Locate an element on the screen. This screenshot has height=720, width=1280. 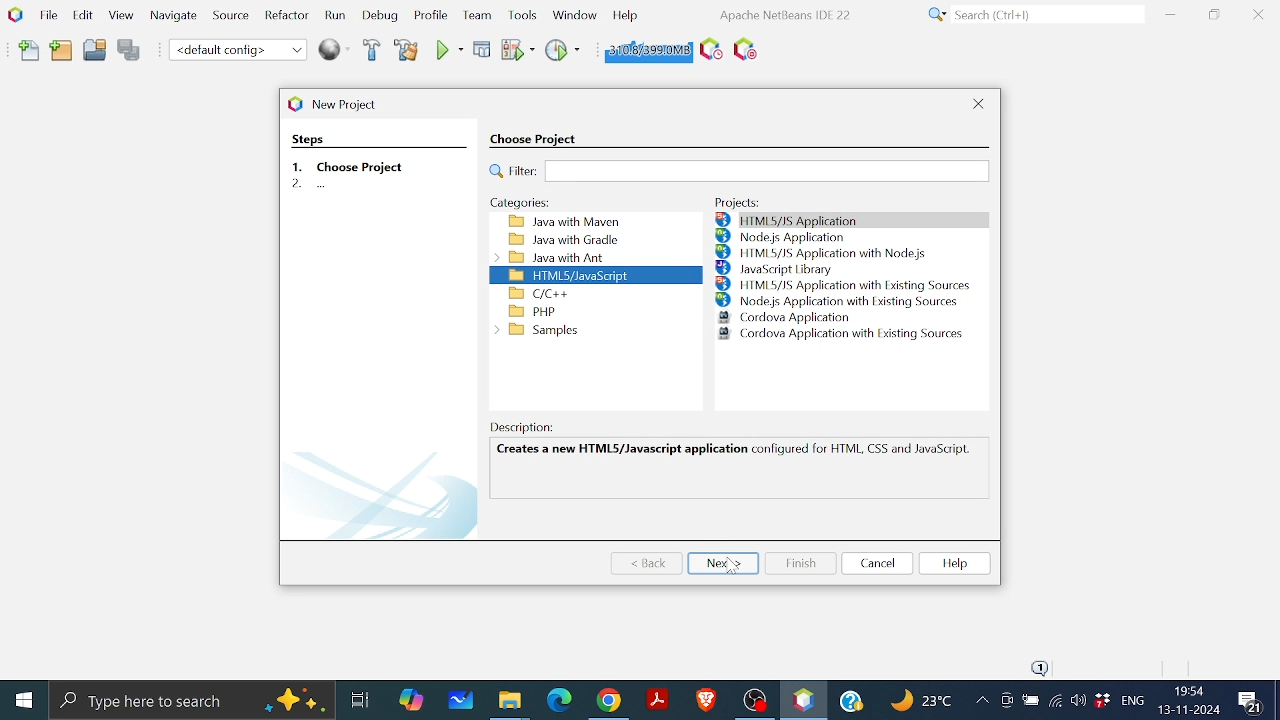
C/C++ is located at coordinates (594, 293).